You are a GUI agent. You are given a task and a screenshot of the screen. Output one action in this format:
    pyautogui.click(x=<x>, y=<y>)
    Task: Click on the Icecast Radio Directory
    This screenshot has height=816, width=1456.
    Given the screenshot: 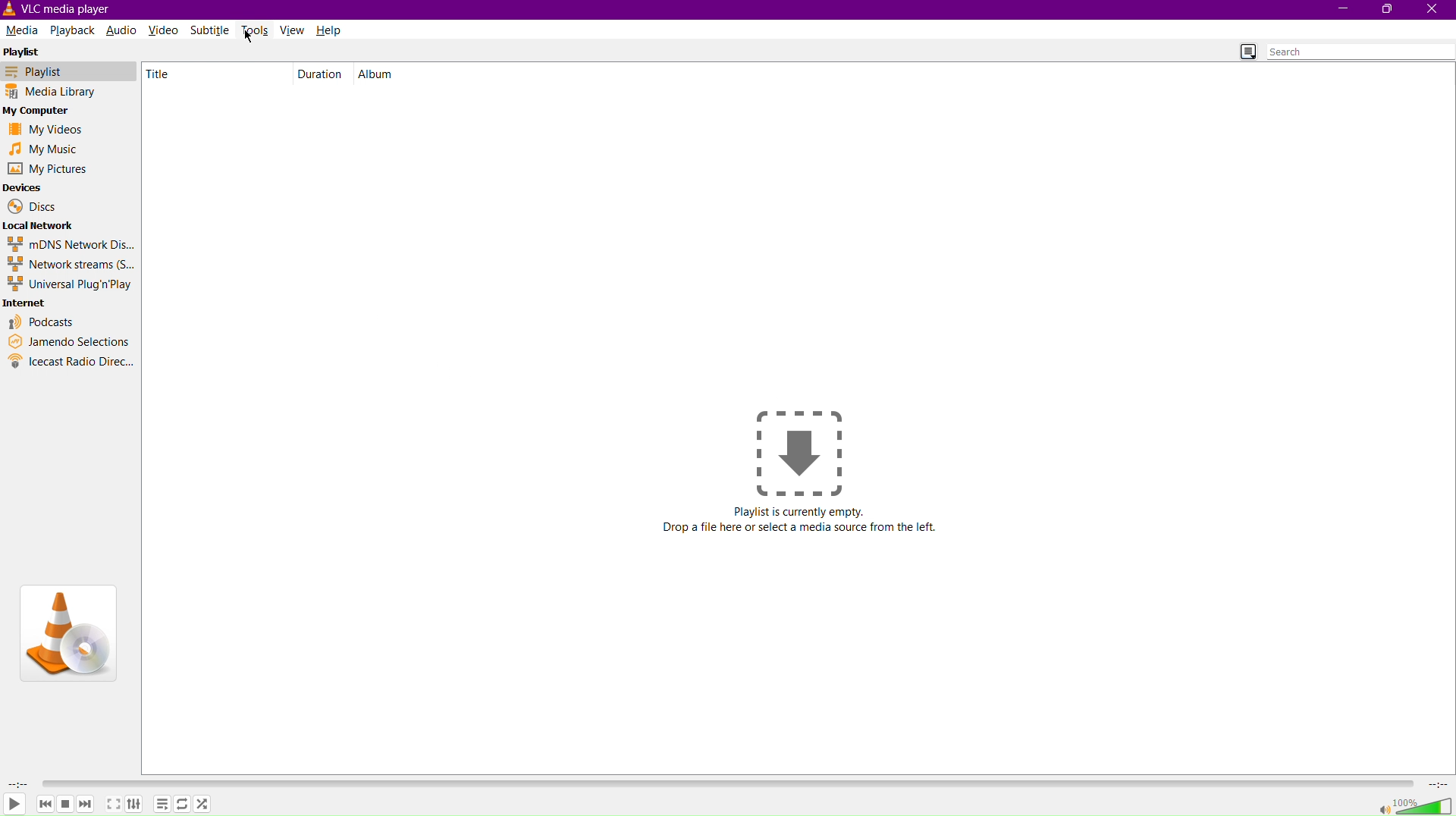 What is the action you would take?
    pyautogui.click(x=71, y=364)
    